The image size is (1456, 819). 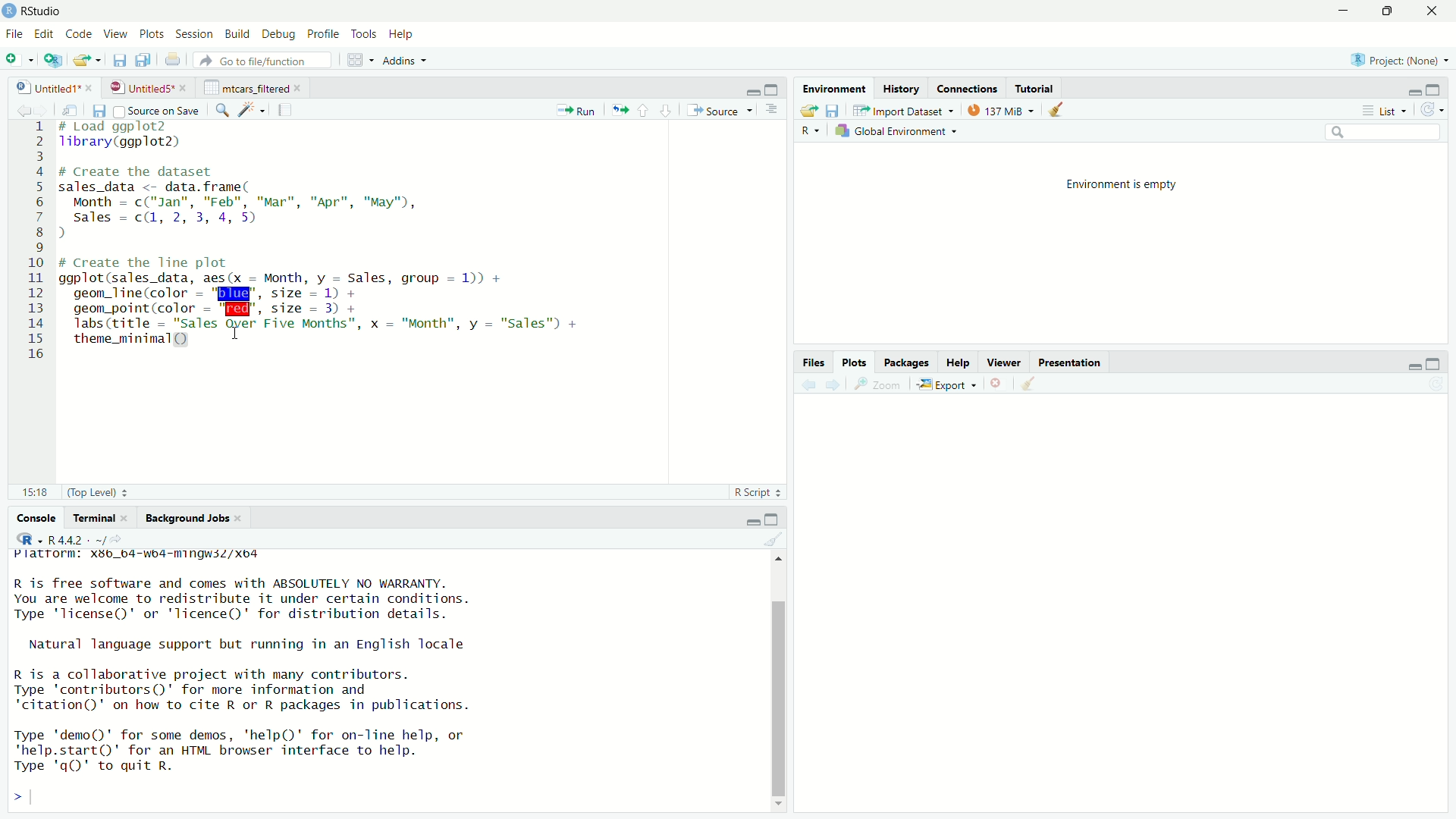 What do you see at coordinates (44, 11) in the screenshot?
I see `RStudio` at bounding box center [44, 11].